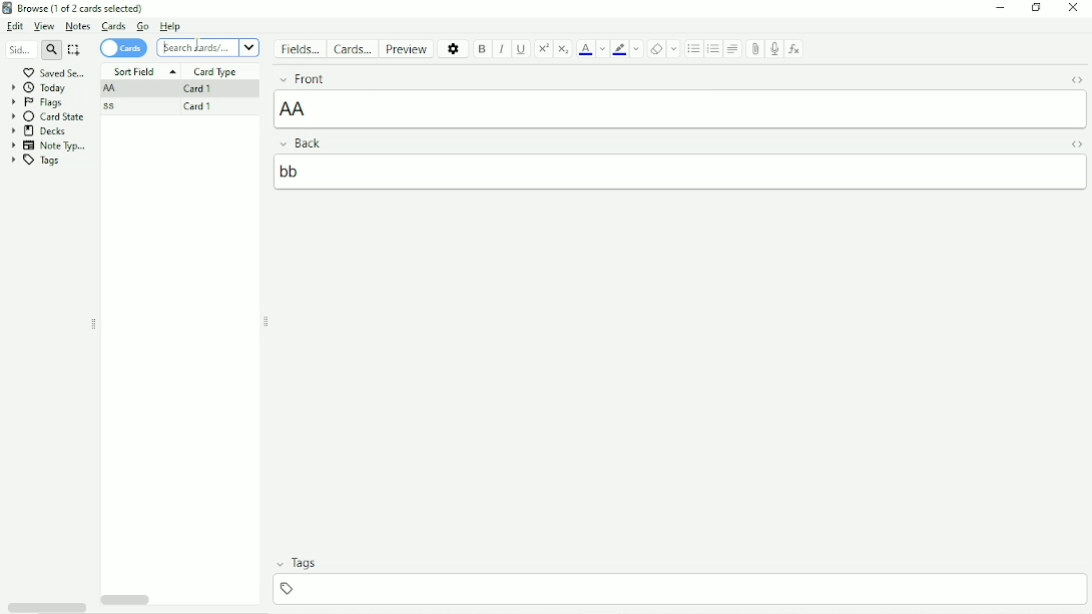  Describe the element at coordinates (522, 49) in the screenshot. I see `Underline` at that location.